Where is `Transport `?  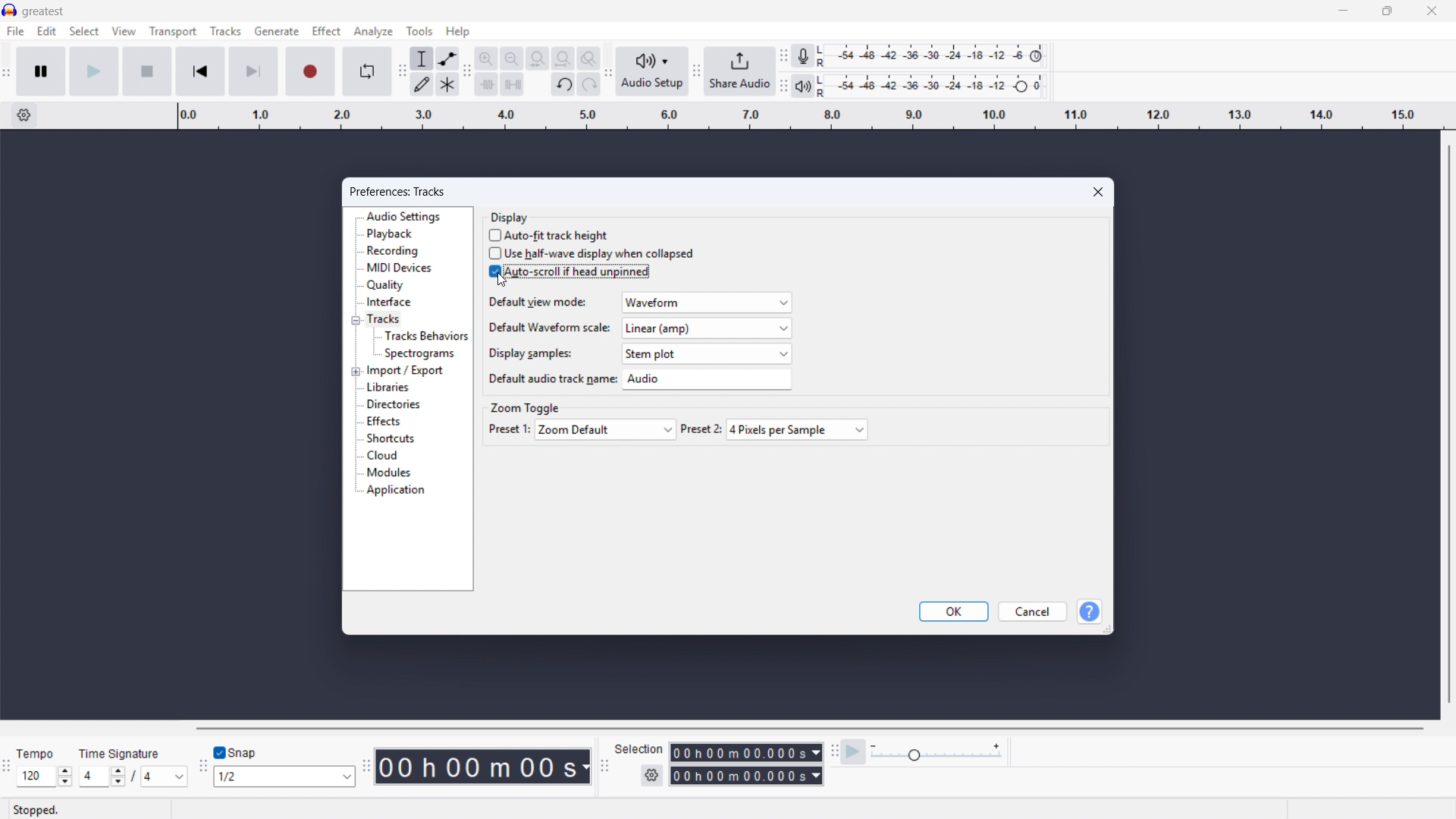 Transport  is located at coordinates (173, 31).